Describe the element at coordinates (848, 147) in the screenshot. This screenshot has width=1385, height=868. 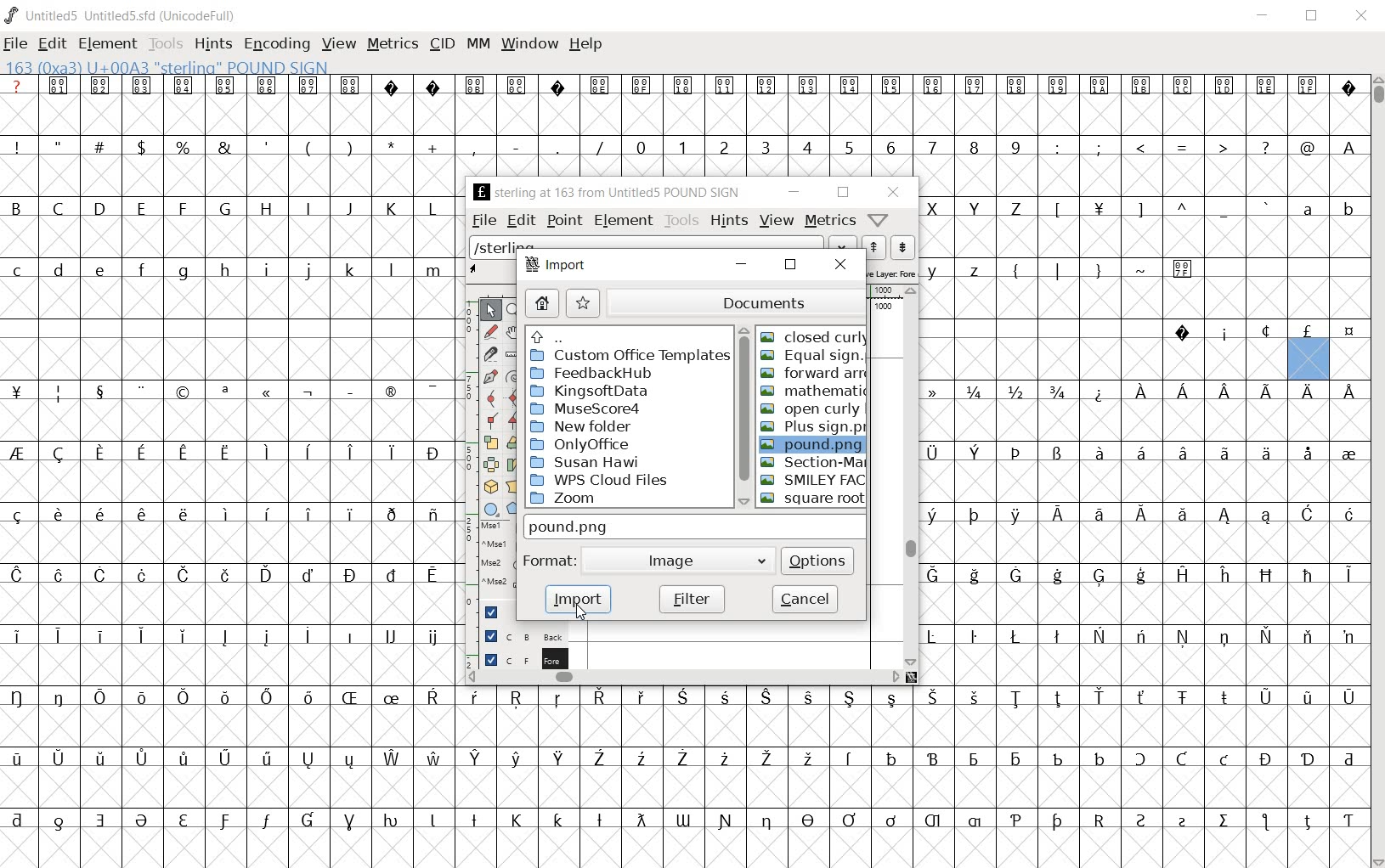
I see `5` at that location.